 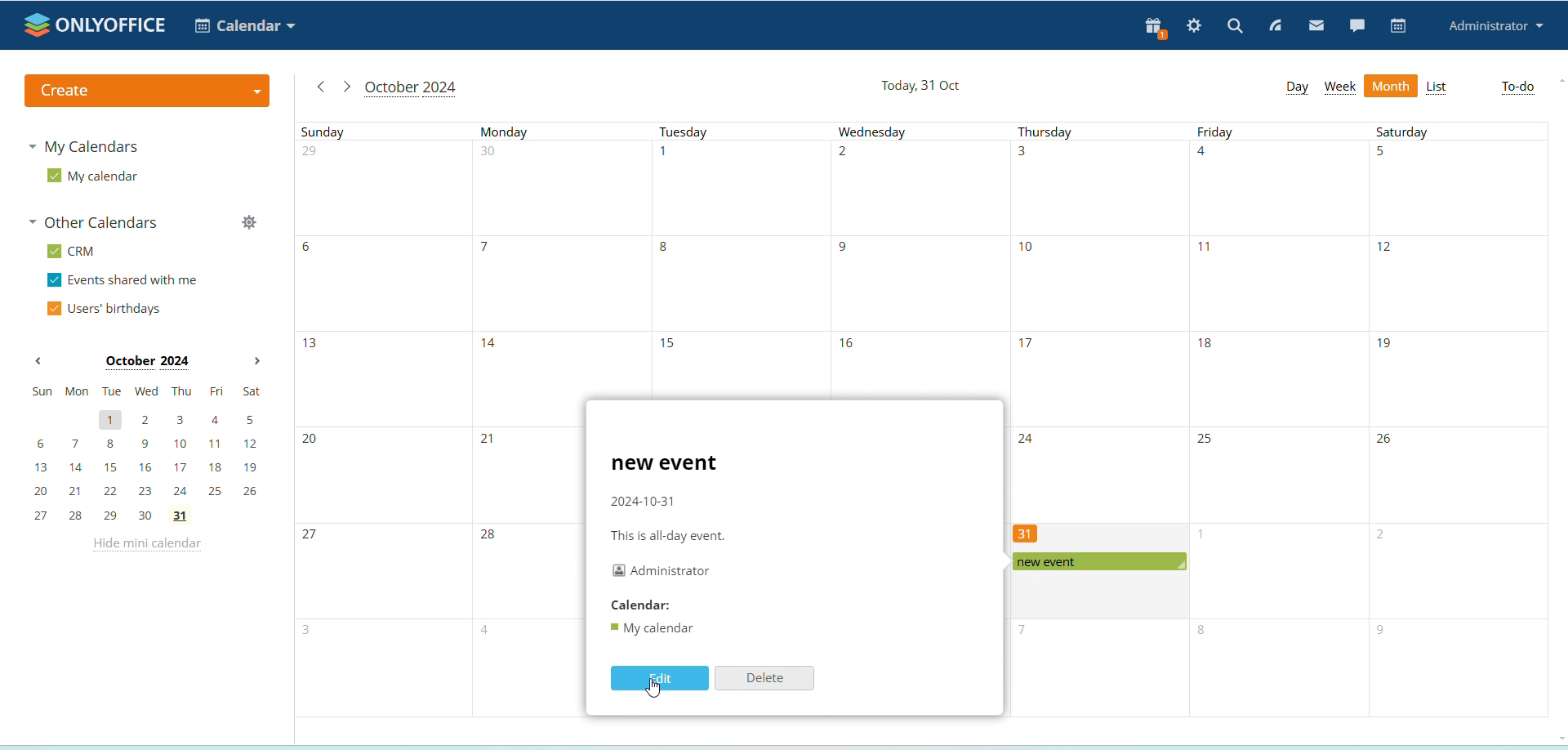 I want to click on users' birthdays, so click(x=103, y=310).